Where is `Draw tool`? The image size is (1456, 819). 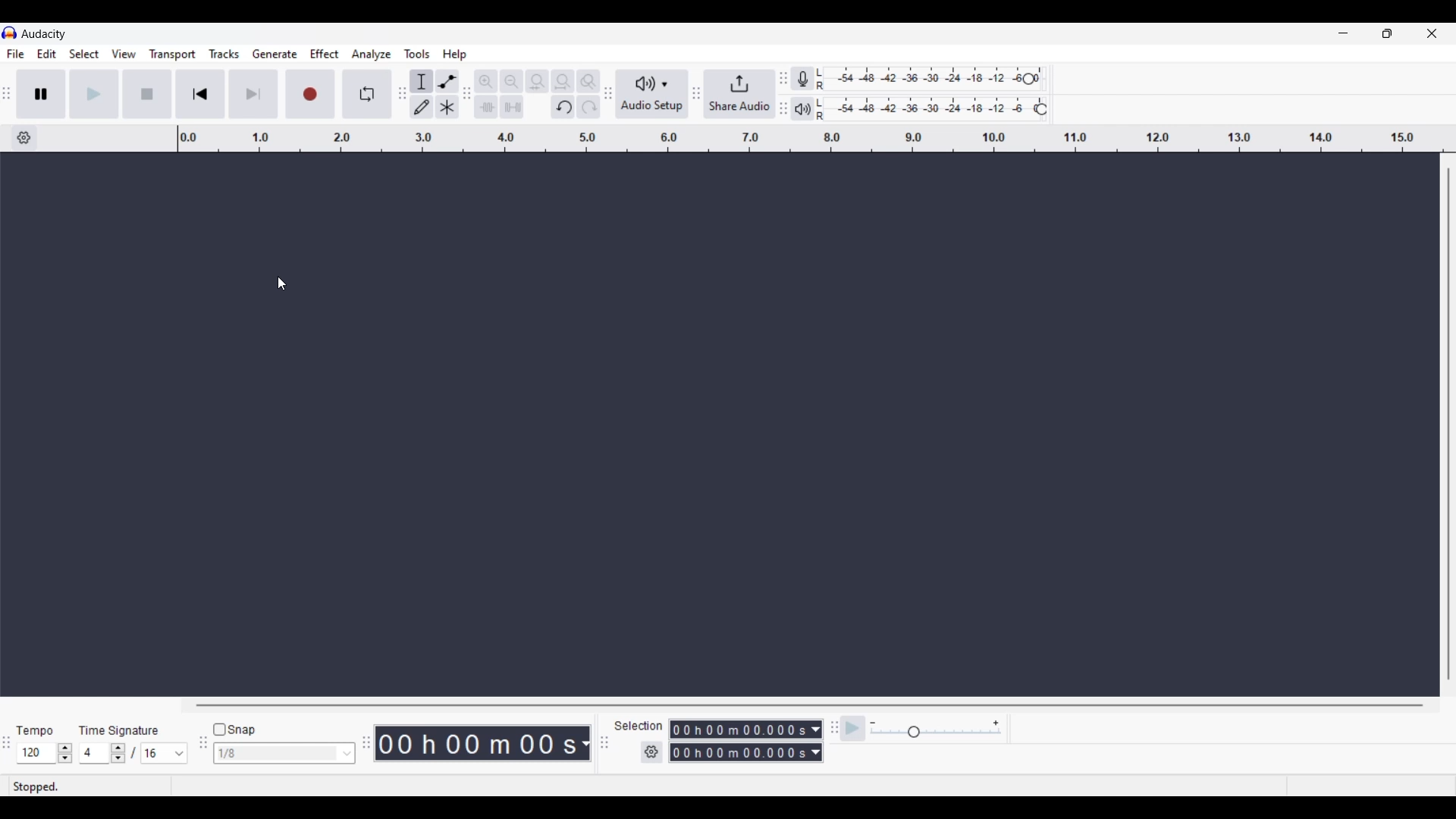
Draw tool is located at coordinates (422, 107).